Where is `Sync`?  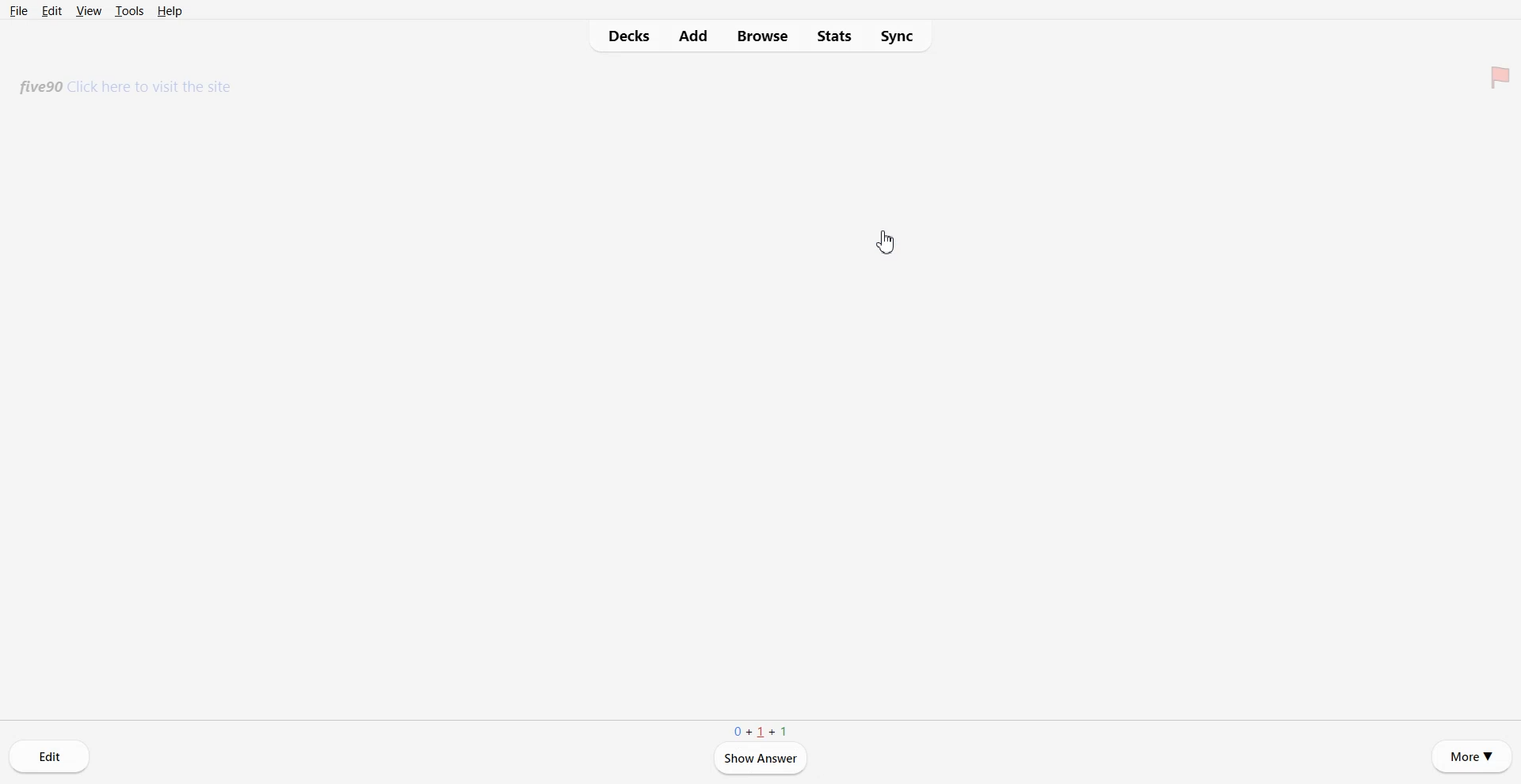
Sync is located at coordinates (899, 36).